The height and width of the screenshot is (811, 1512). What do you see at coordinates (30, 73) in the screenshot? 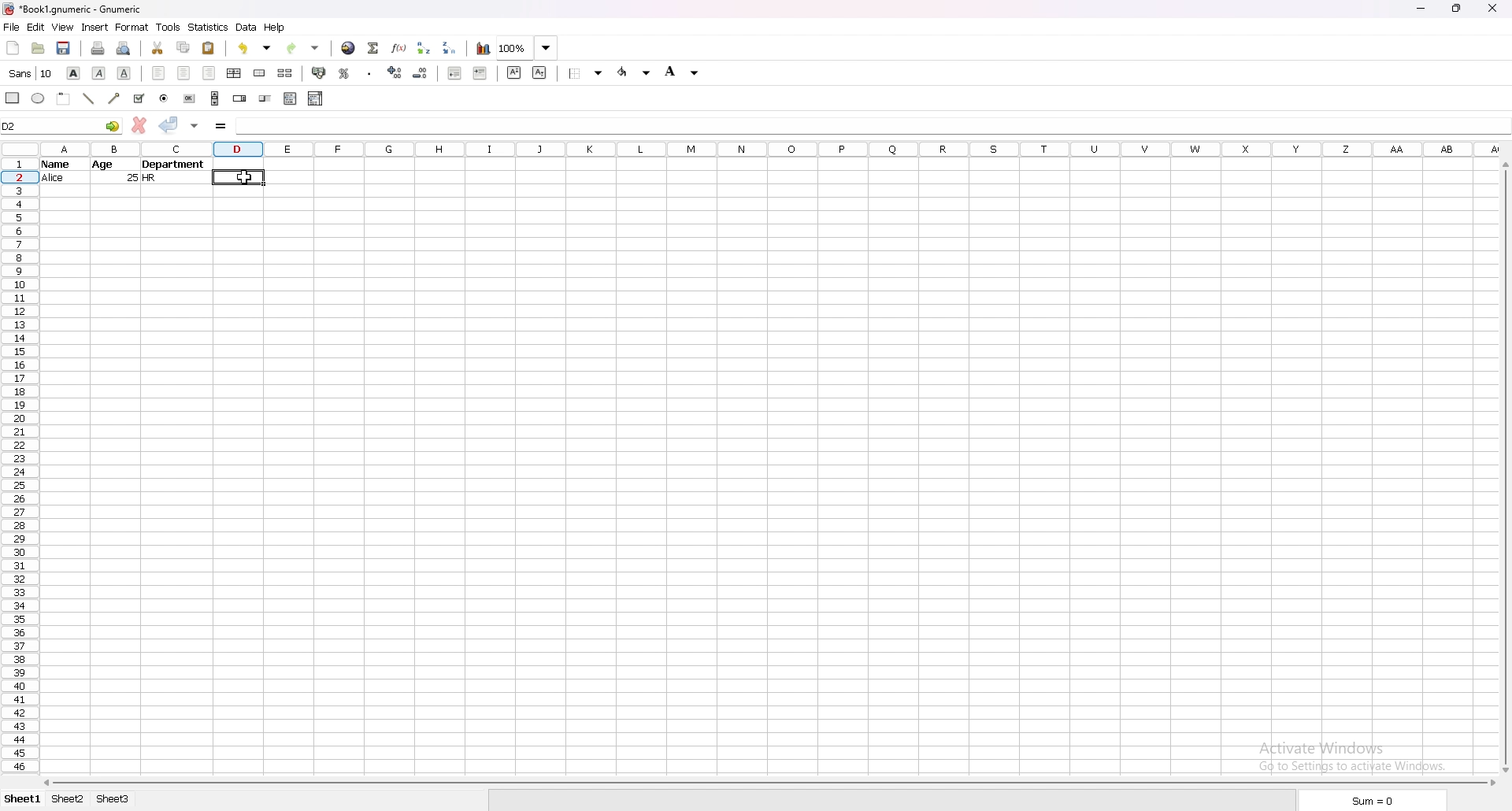
I see `font` at bounding box center [30, 73].